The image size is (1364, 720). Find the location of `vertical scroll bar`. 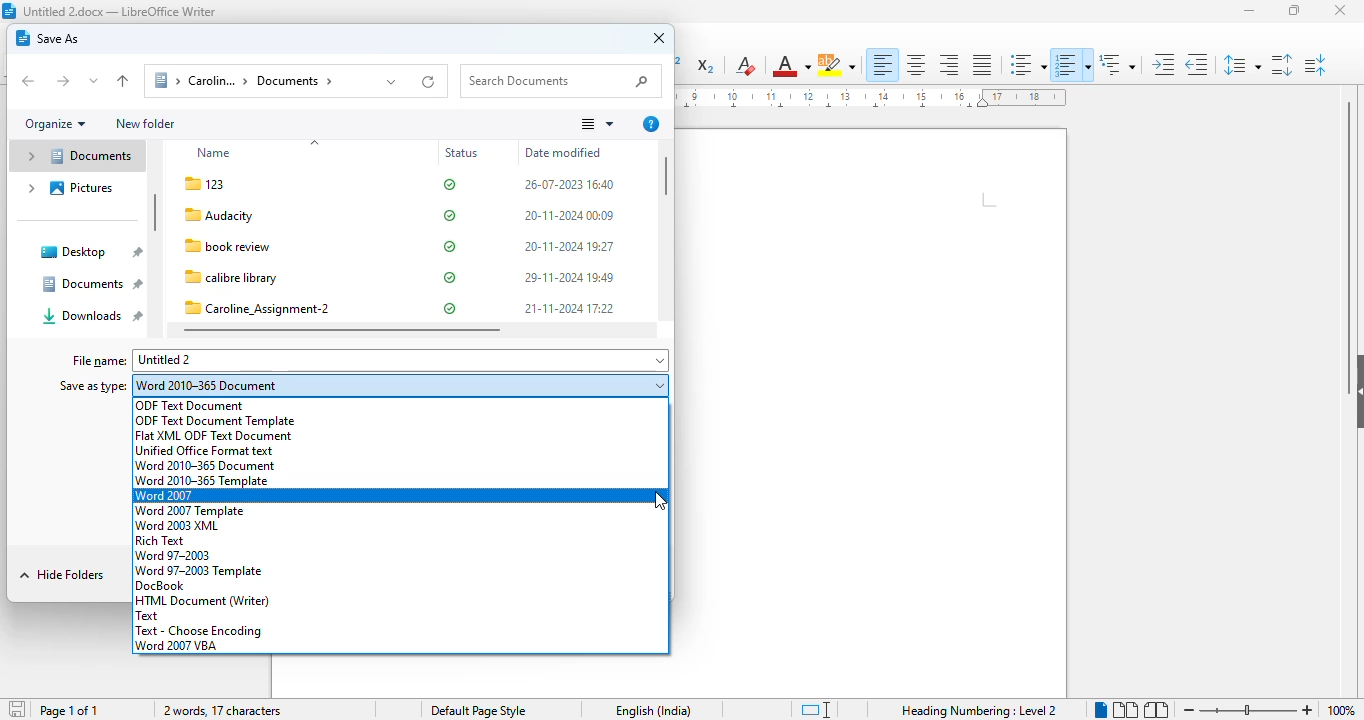

vertical scroll bar is located at coordinates (1352, 218).